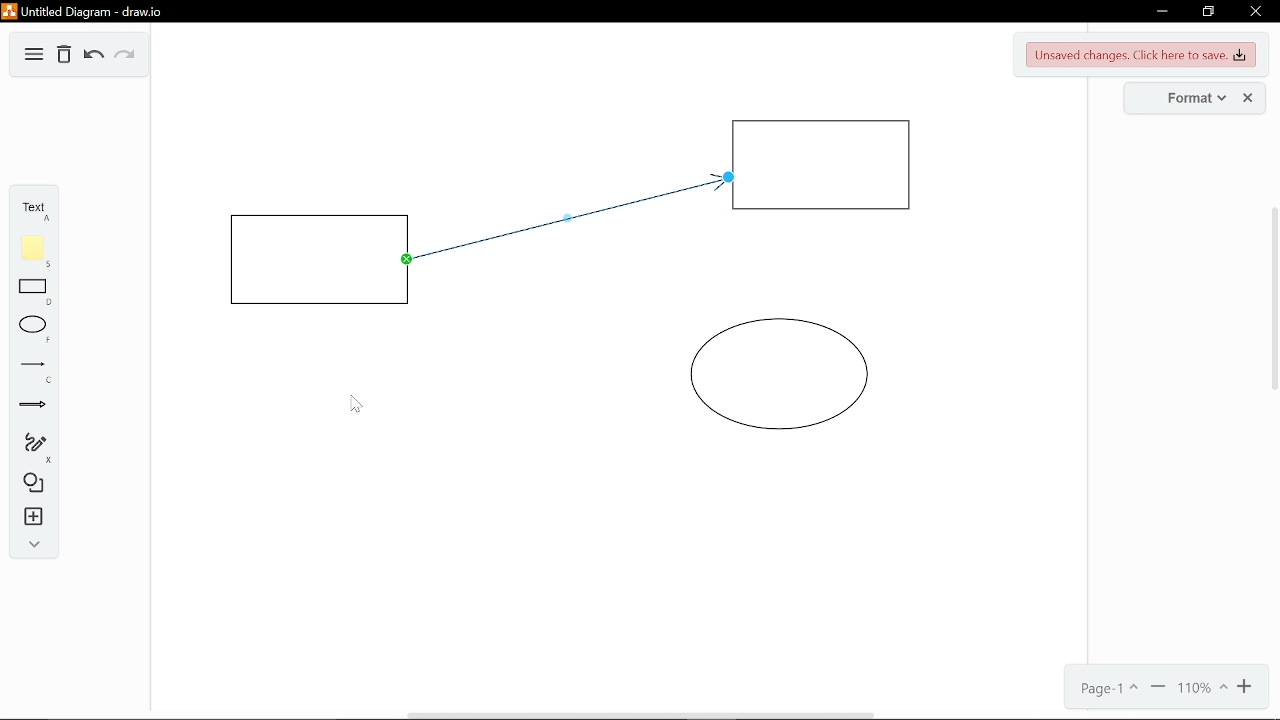 Image resolution: width=1280 pixels, height=720 pixels. What do you see at coordinates (1202, 690) in the screenshot?
I see `Current zoom` at bounding box center [1202, 690].